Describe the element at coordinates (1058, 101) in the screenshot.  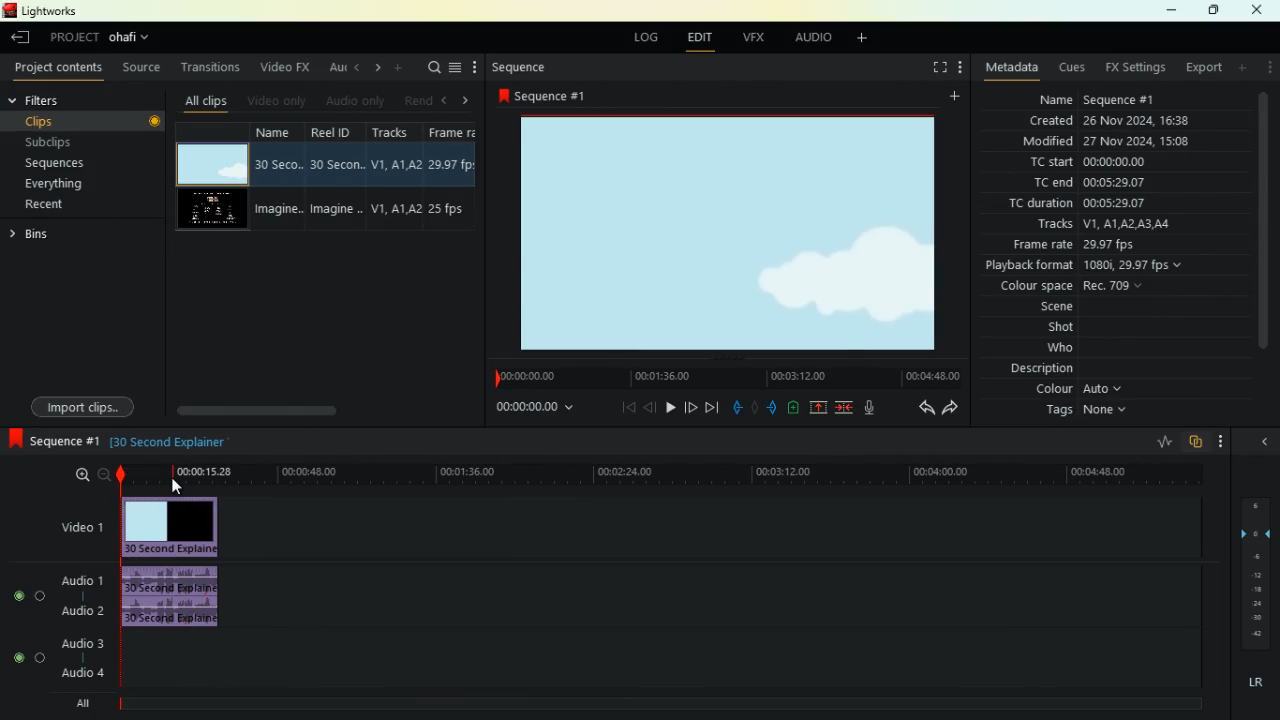
I see `name` at that location.